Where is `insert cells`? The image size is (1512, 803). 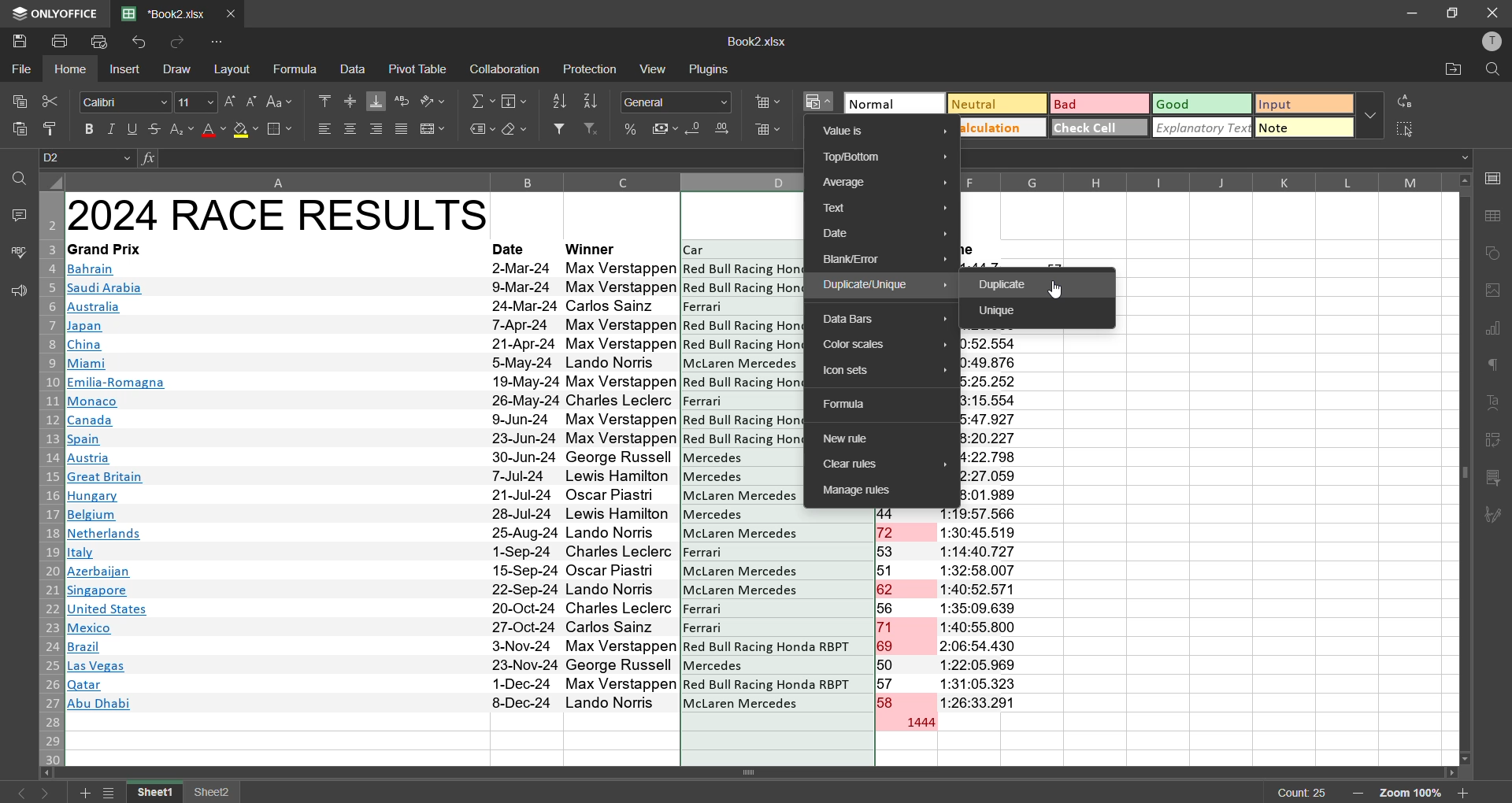 insert cells is located at coordinates (766, 100).